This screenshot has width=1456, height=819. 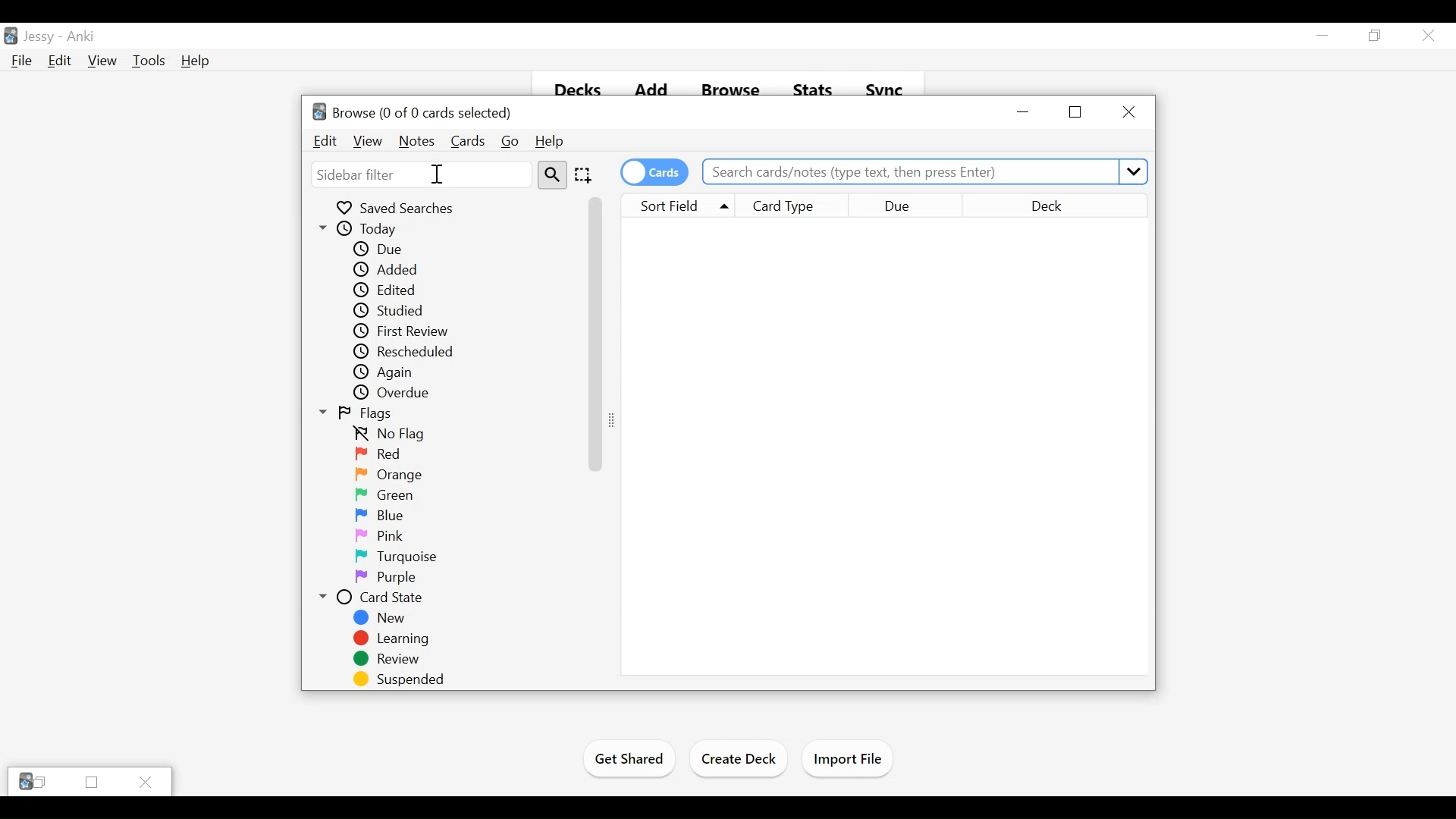 What do you see at coordinates (385, 496) in the screenshot?
I see `Green` at bounding box center [385, 496].